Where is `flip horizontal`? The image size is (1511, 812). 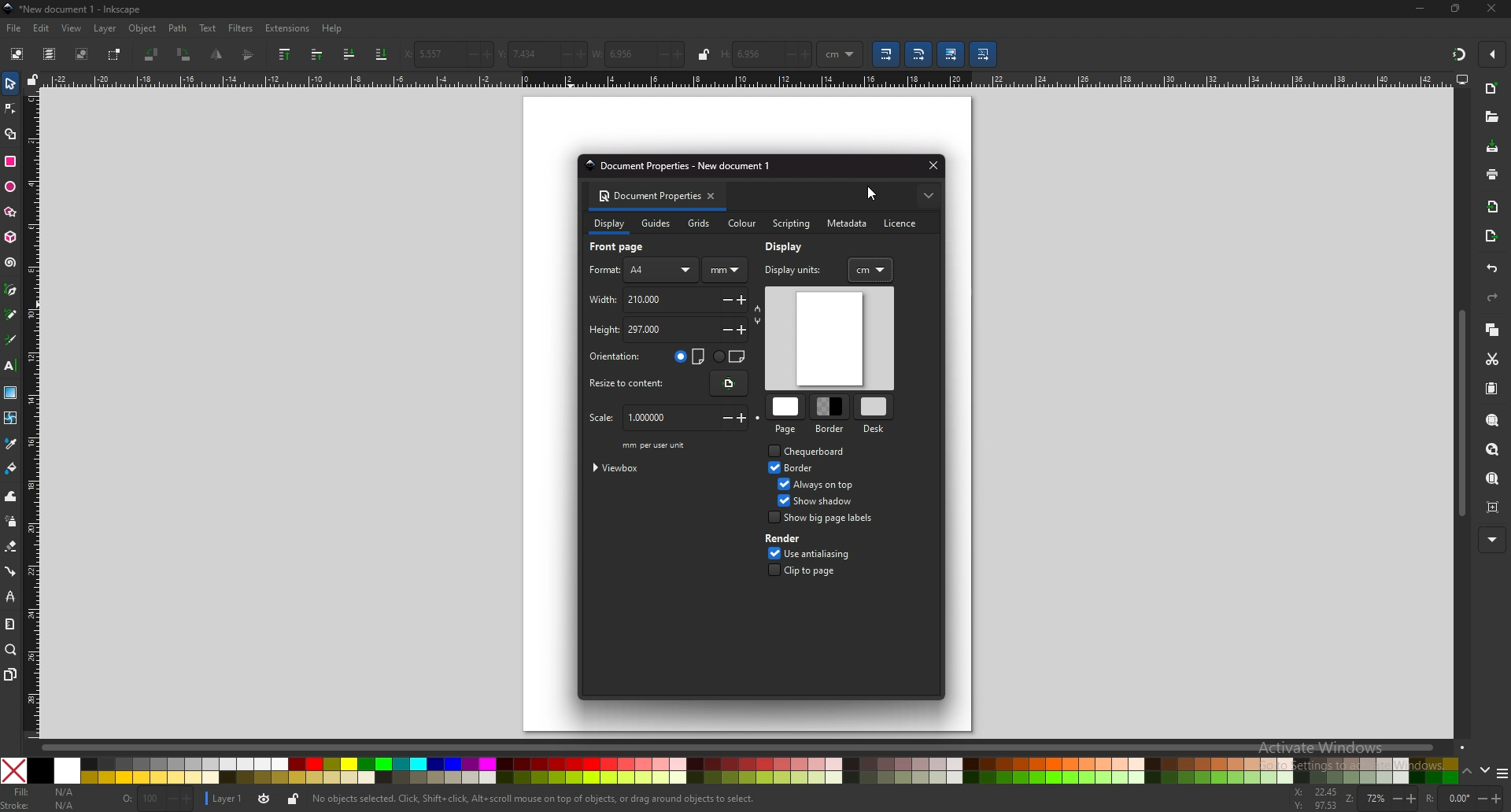 flip horizontal is located at coordinates (217, 54).